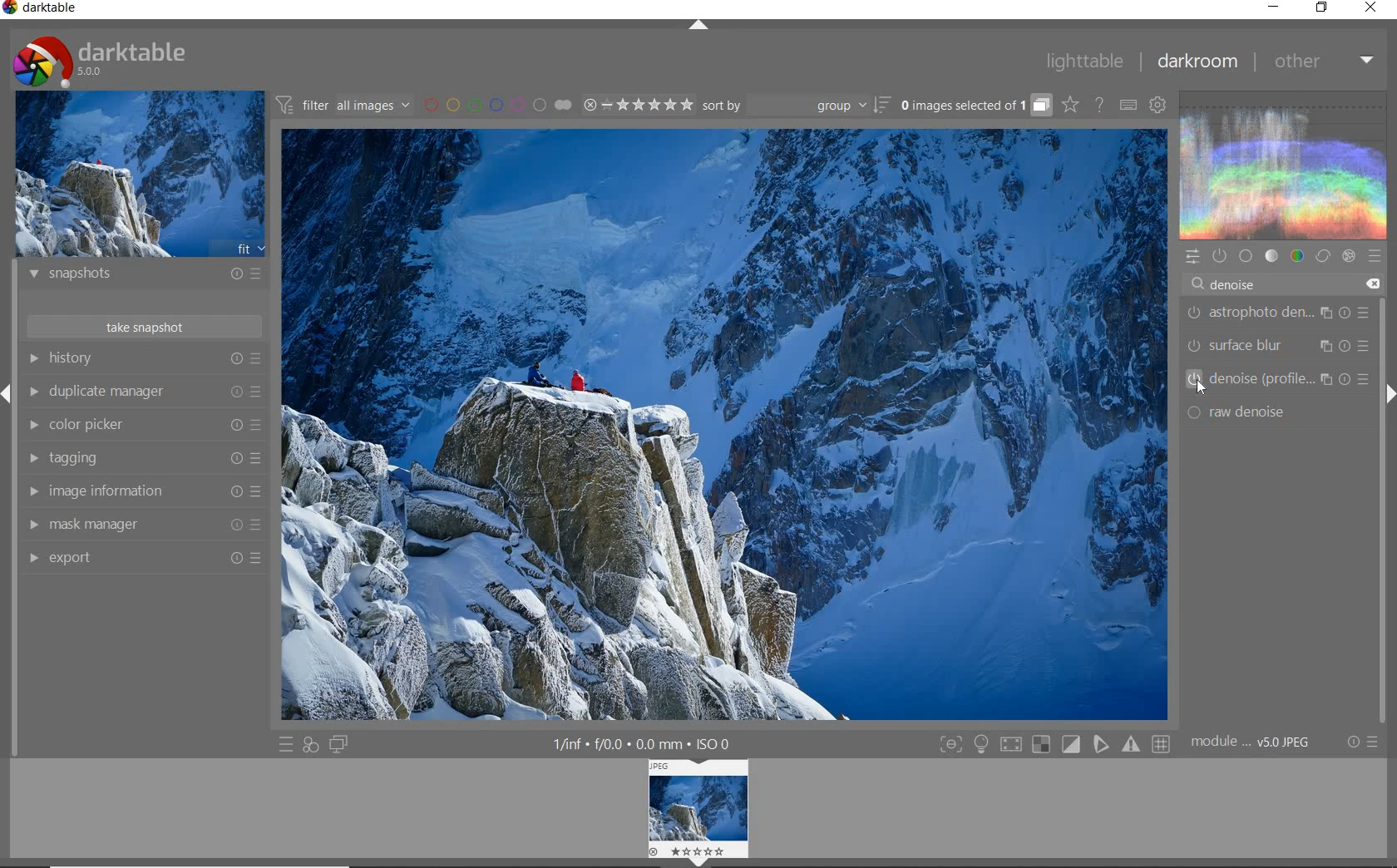 Image resolution: width=1397 pixels, height=868 pixels. Describe the element at coordinates (1371, 8) in the screenshot. I see `close` at that location.